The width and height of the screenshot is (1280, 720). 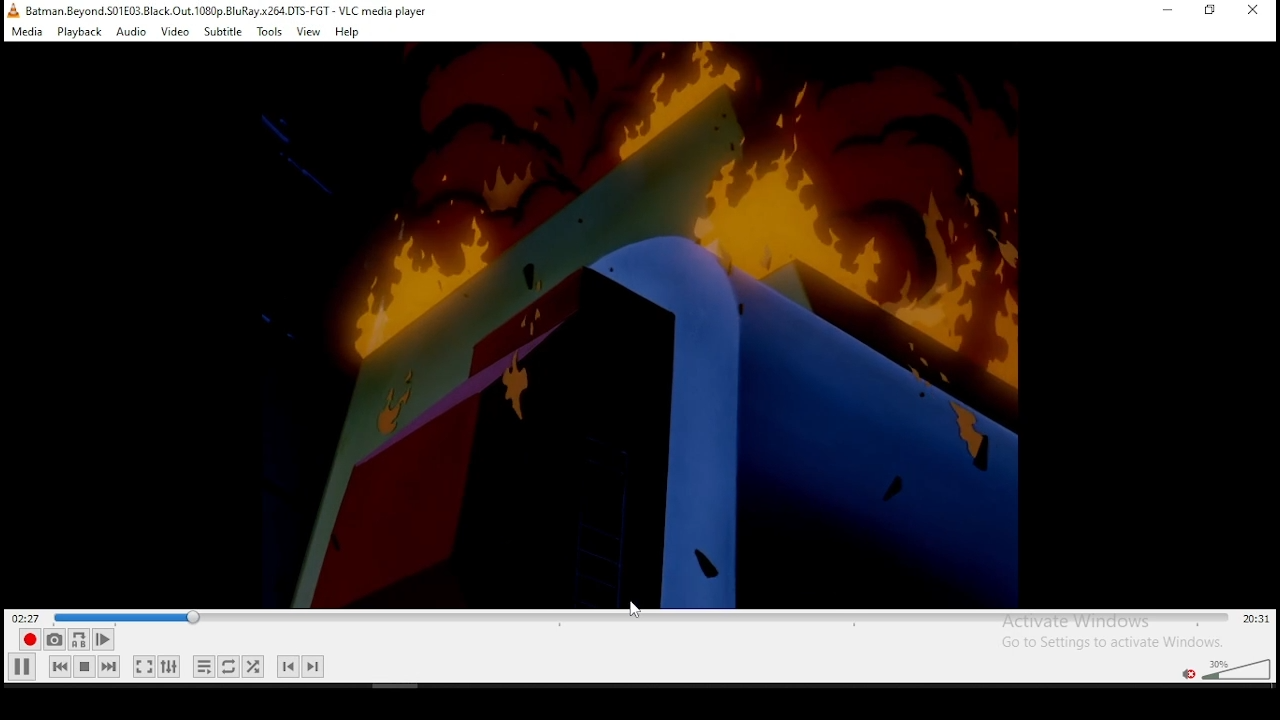 I want to click on help, so click(x=347, y=32).